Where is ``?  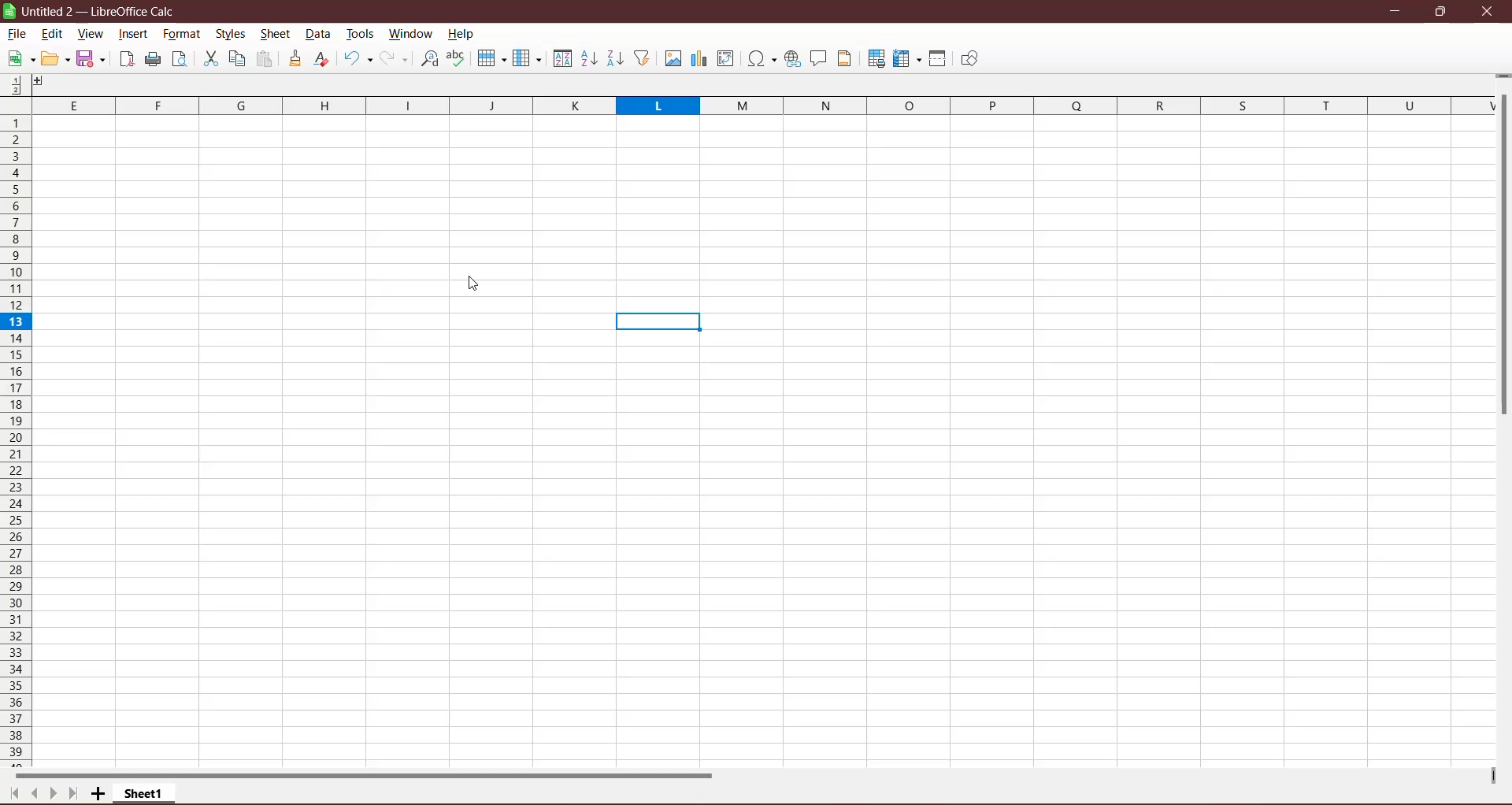  is located at coordinates (45, 83).